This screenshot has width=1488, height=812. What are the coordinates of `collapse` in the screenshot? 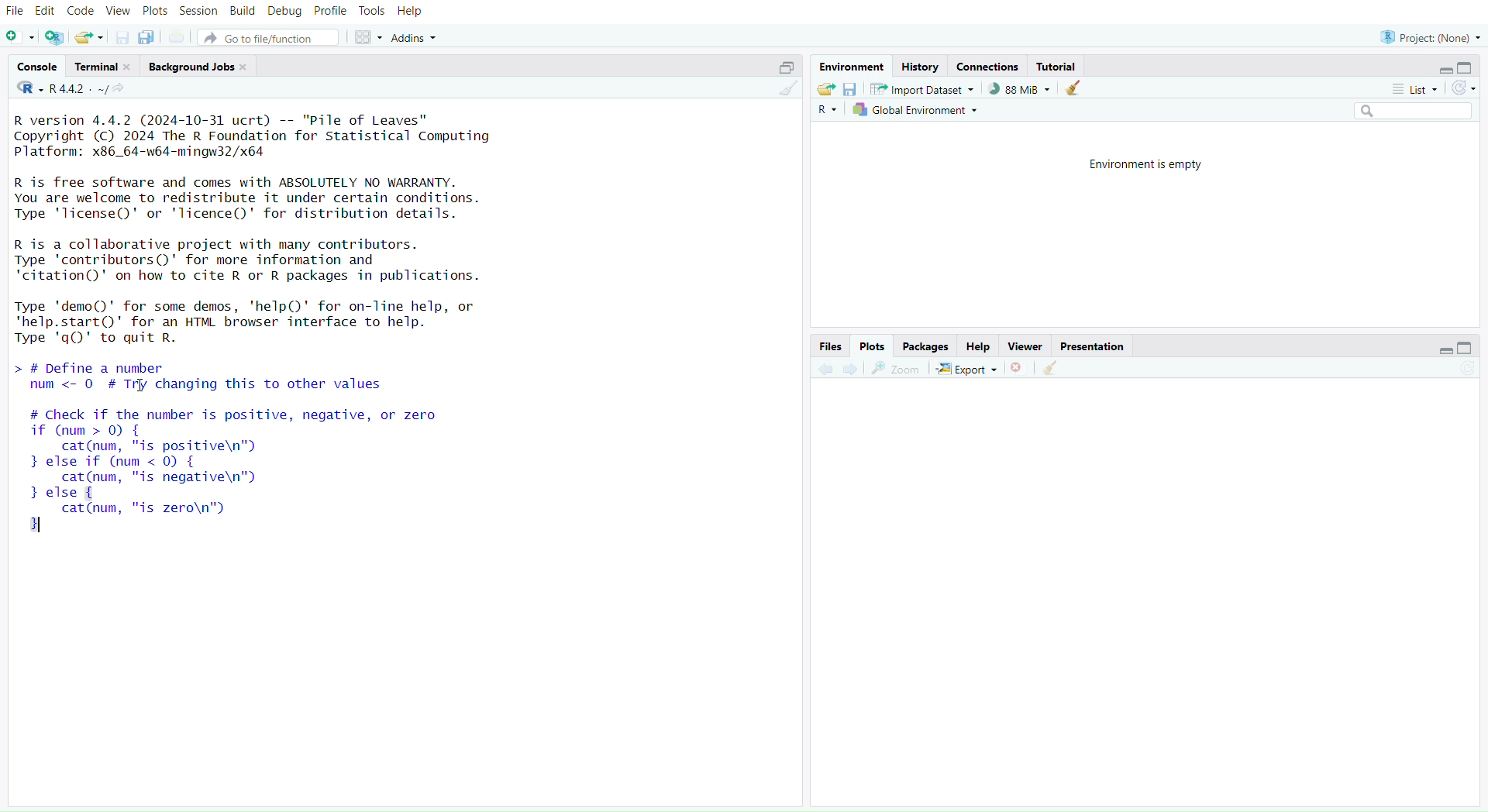 It's located at (1470, 349).